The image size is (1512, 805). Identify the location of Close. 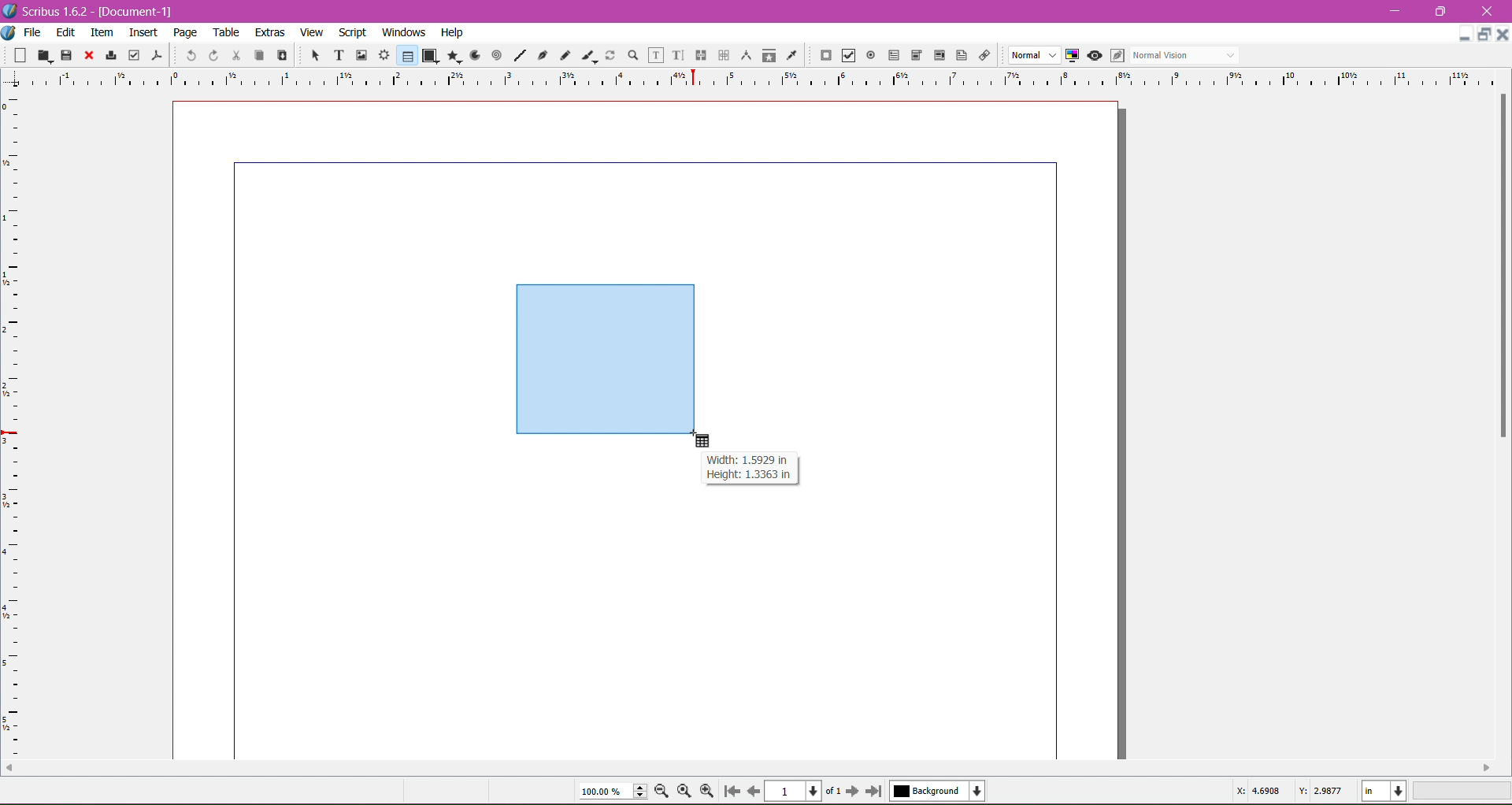
(87, 56).